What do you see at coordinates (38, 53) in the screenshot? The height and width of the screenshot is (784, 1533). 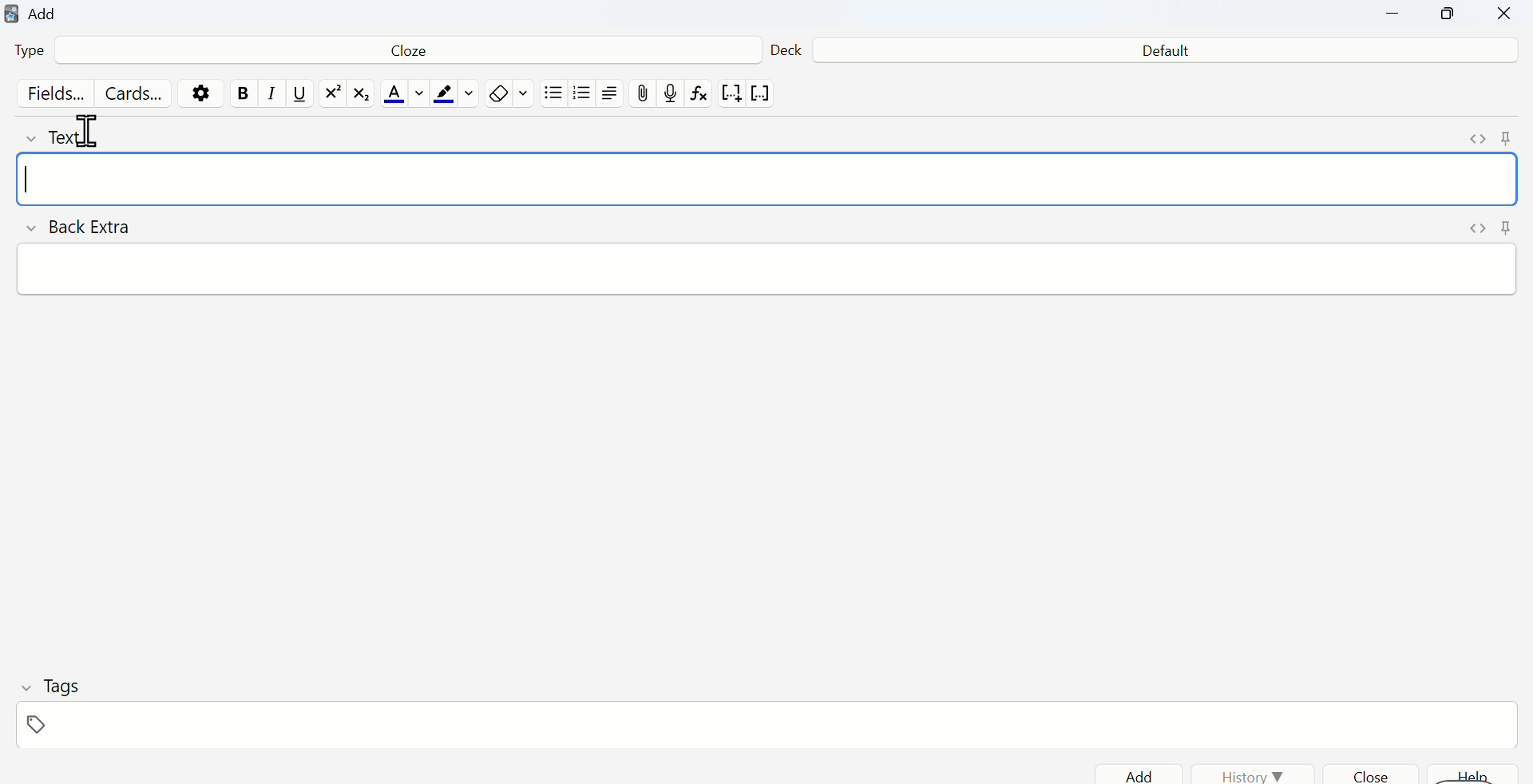 I see `Type` at bounding box center [38, 53].